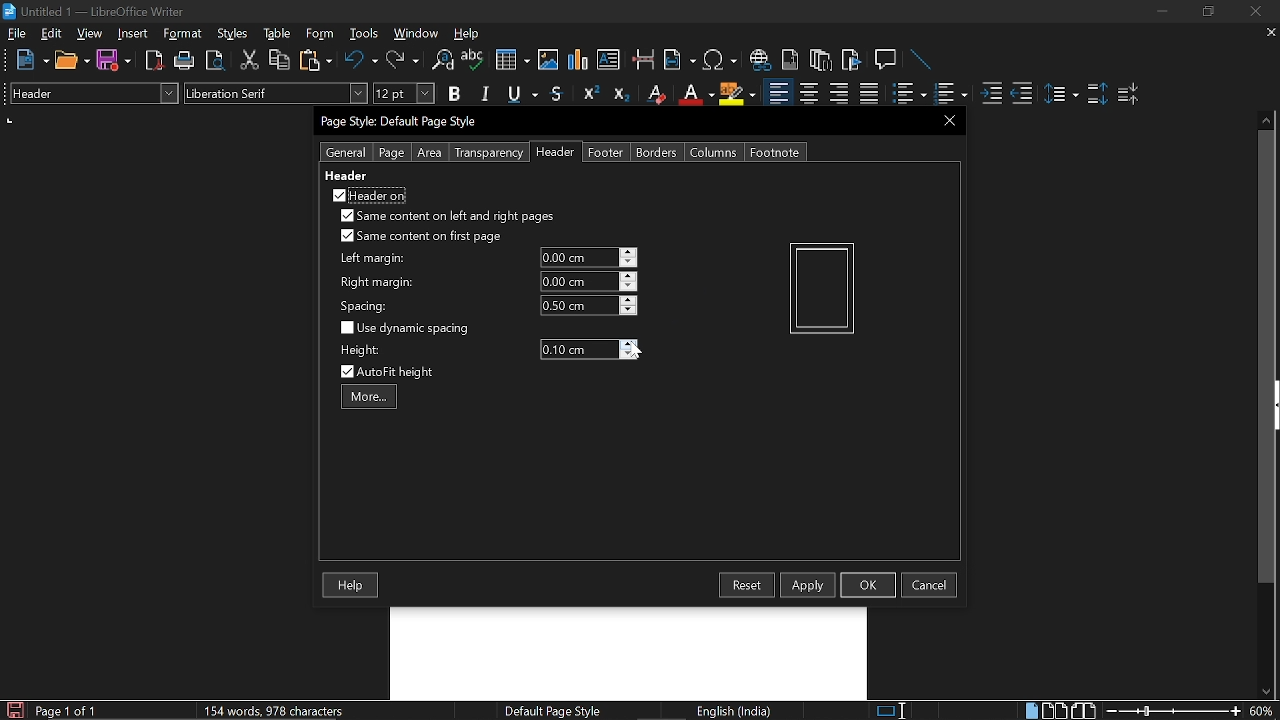 This screenshot has height=720, width=1280. I want to click on Insert bibliography, so click(852, 61).